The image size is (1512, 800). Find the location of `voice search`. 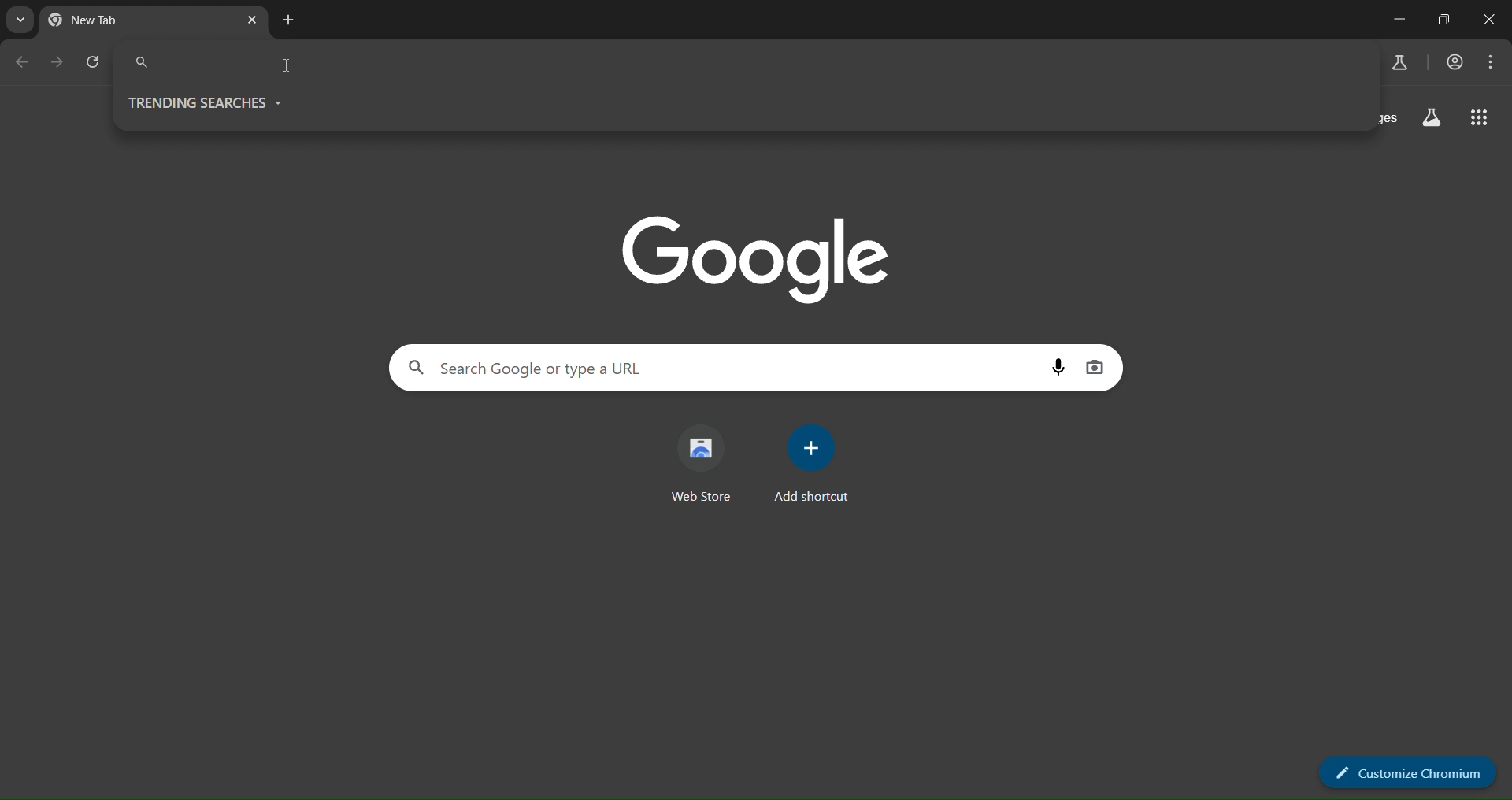

voice search is located at coordinates (1056, 368).